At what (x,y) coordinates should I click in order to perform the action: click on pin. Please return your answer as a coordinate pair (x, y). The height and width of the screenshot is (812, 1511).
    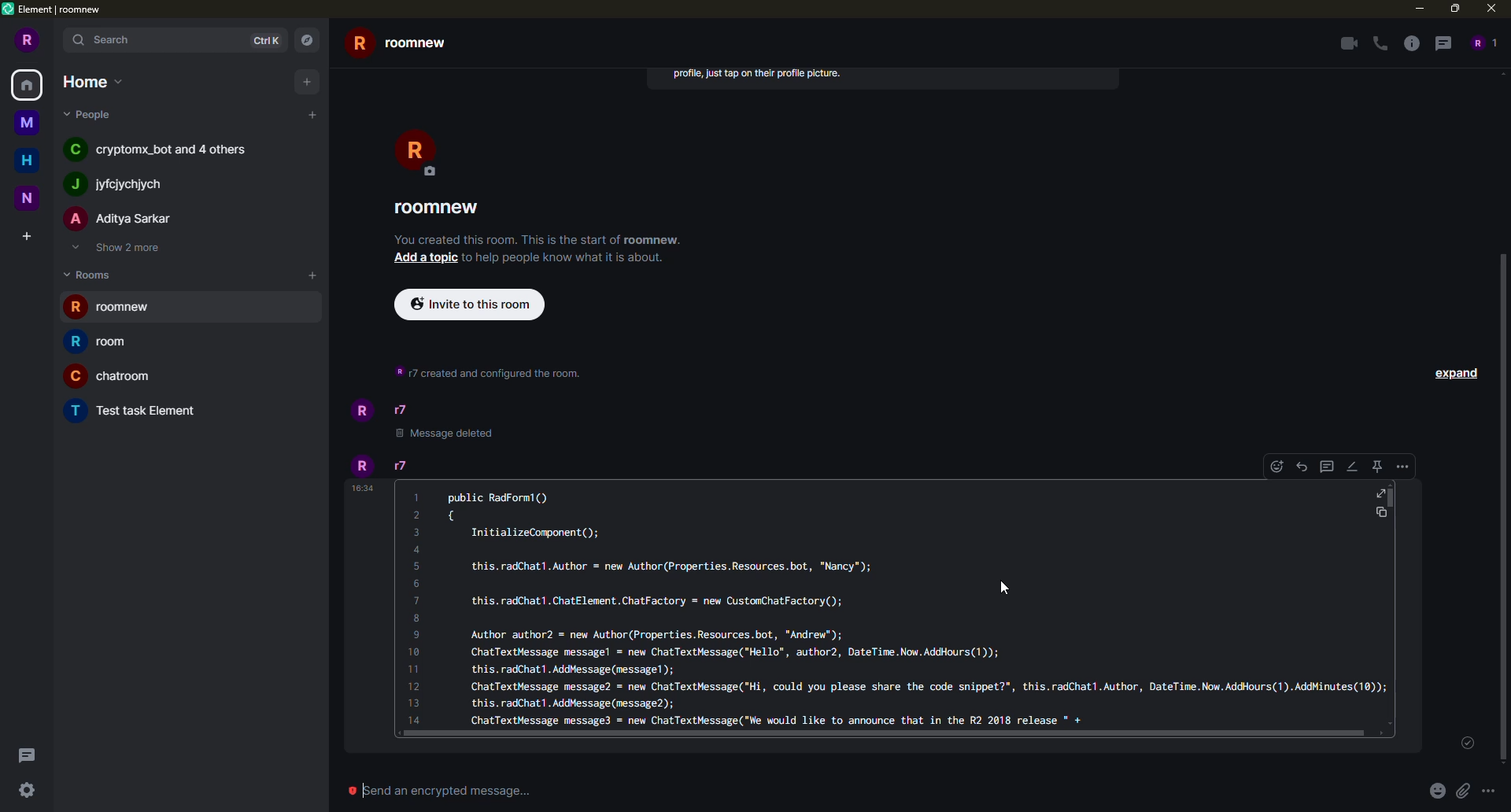
    Looking at the image, I should click on (1376, 467).